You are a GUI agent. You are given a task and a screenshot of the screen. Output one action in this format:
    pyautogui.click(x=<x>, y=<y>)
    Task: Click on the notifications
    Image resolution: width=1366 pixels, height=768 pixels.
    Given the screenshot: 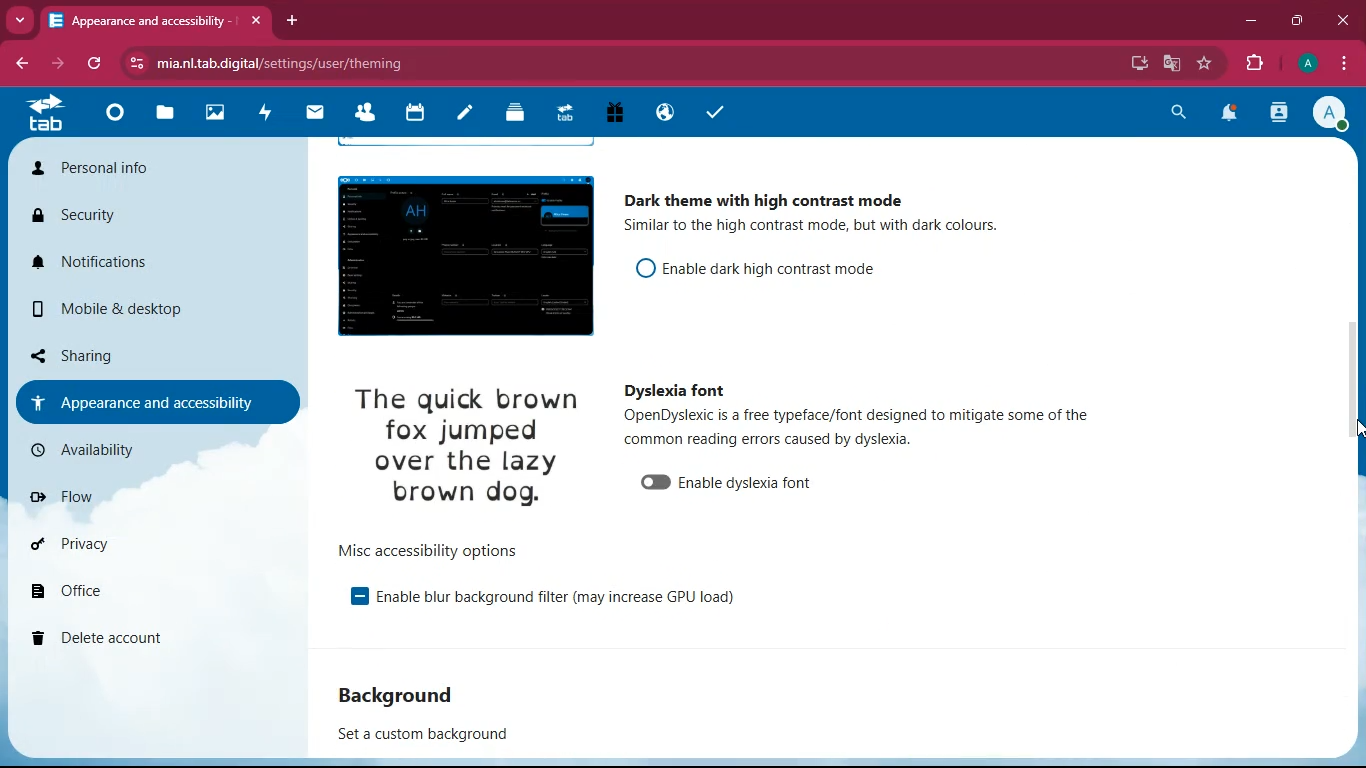 What is the action you would take?
    pyautogui.click(x=1230, y=112)
    